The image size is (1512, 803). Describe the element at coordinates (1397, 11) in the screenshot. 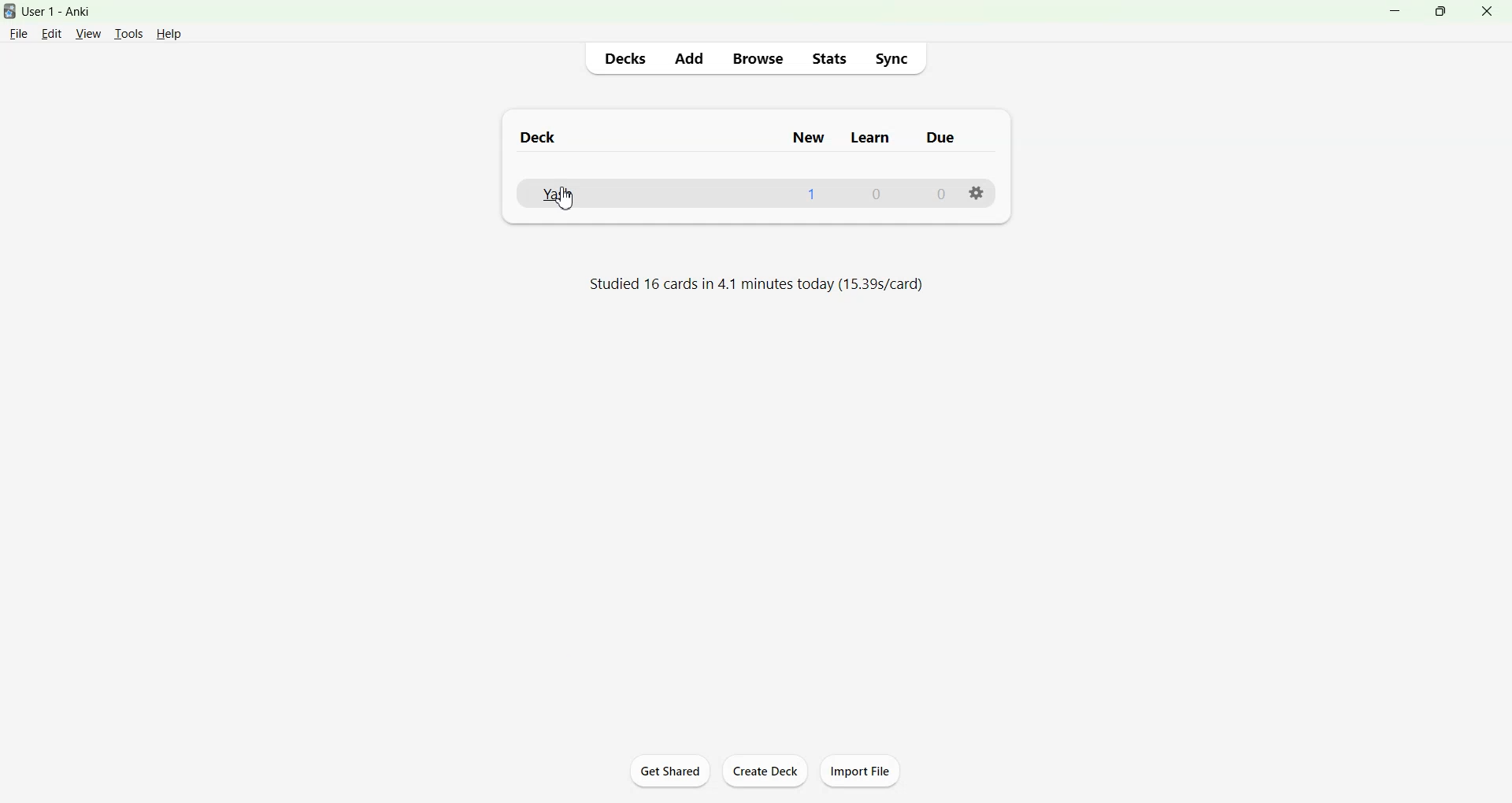

I see `Minimize` at that location.